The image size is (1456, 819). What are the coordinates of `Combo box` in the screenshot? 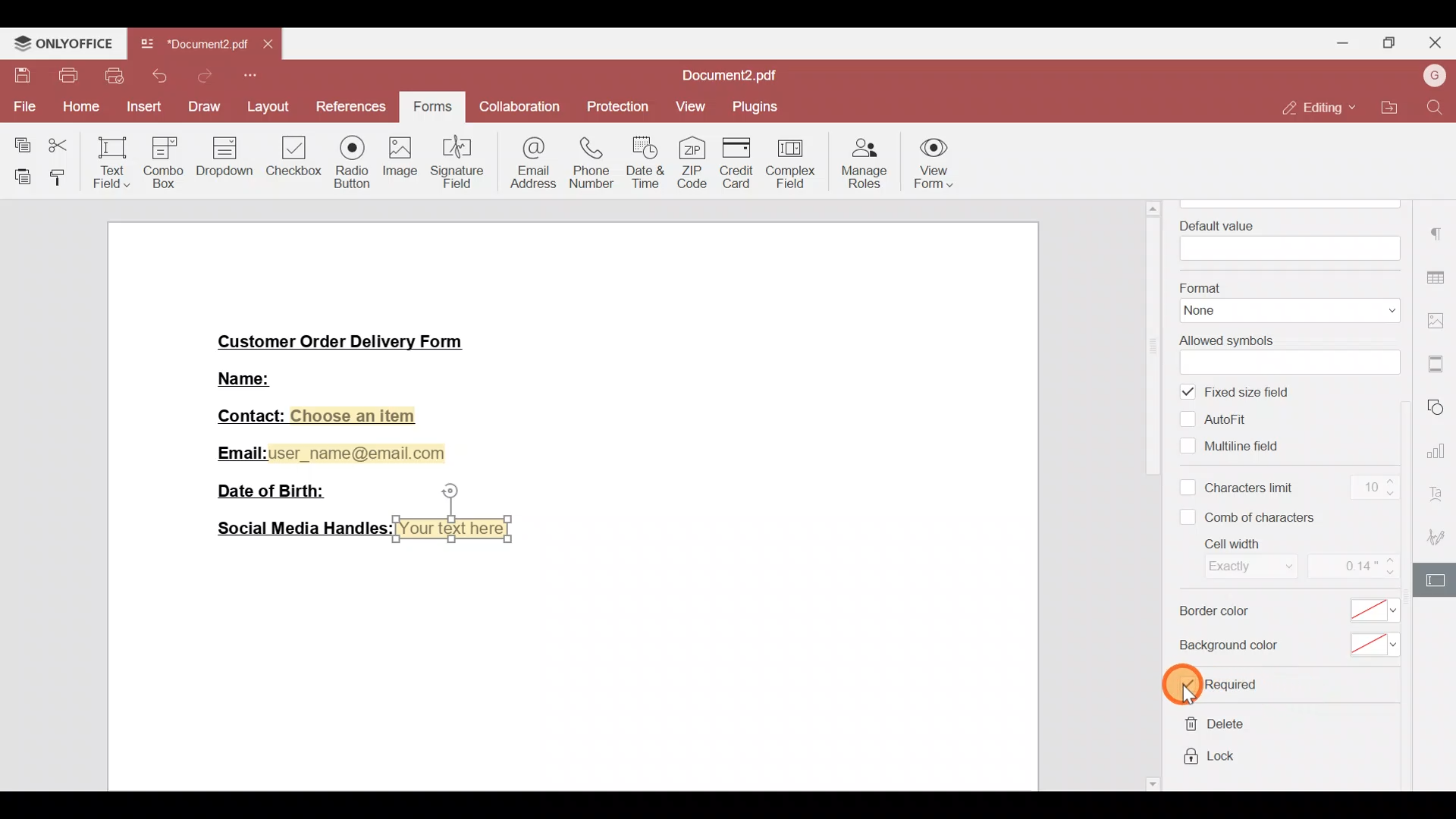 It's located at (167, 160).